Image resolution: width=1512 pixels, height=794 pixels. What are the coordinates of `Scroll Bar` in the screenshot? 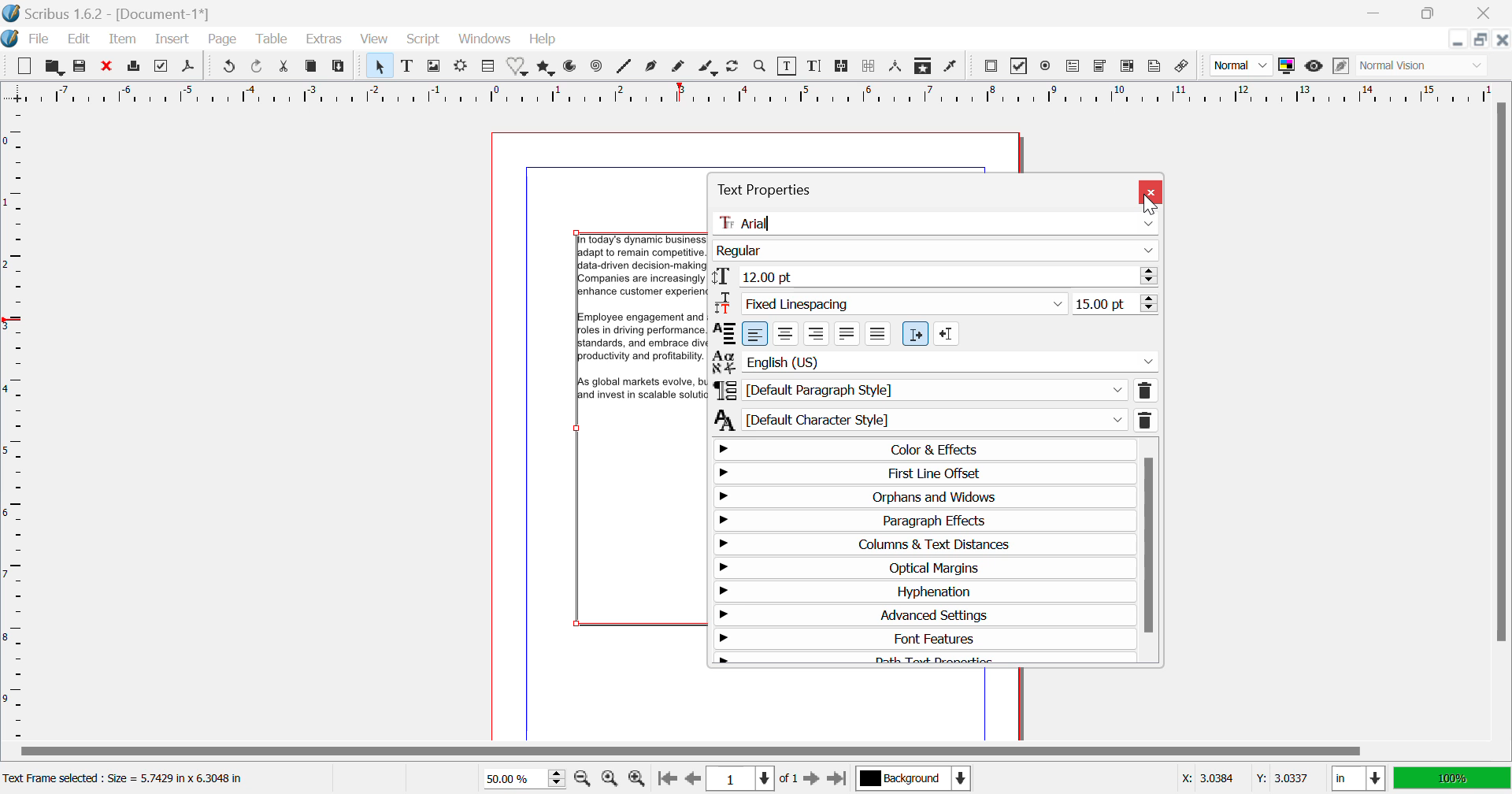 It's located at (1499, 418).